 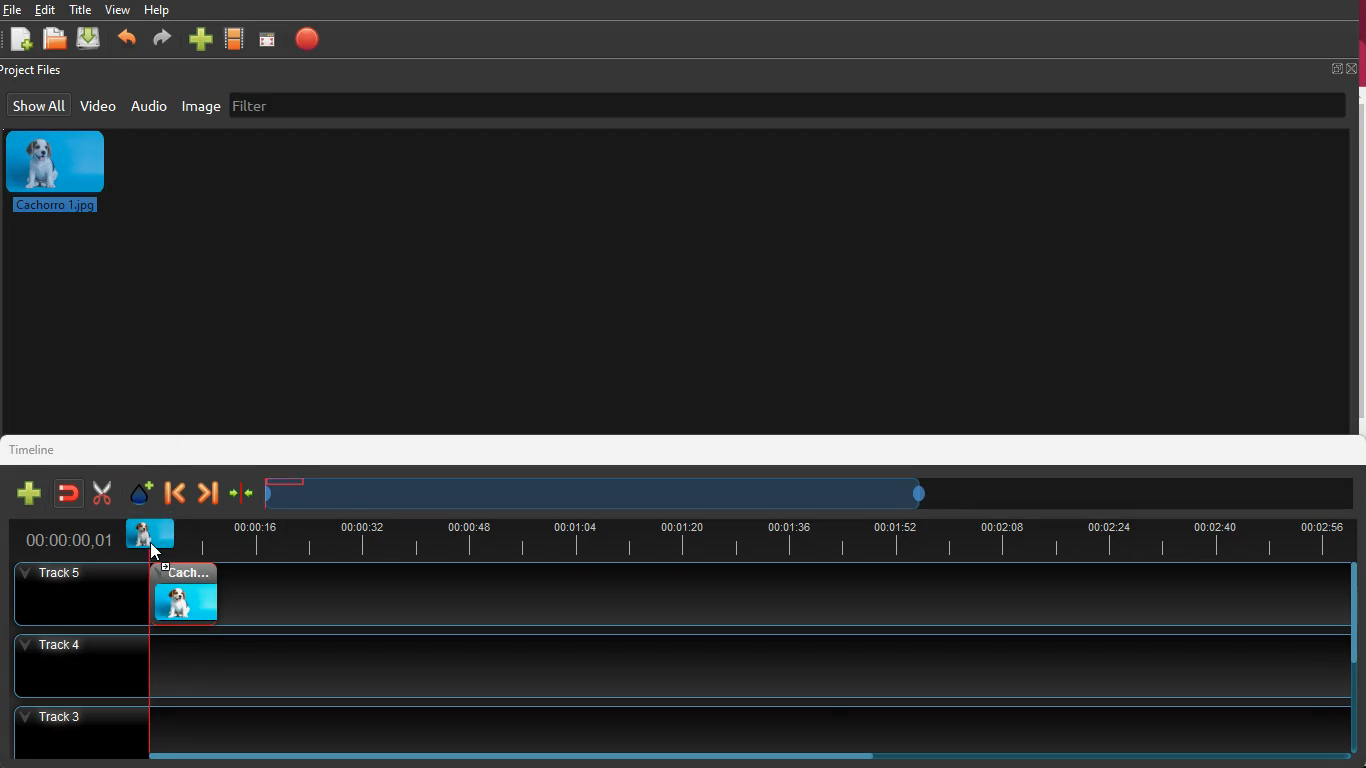 What do you see at coordinates (70, 493) in the screenshot?
I see `join` at bounding box center [70, 493].